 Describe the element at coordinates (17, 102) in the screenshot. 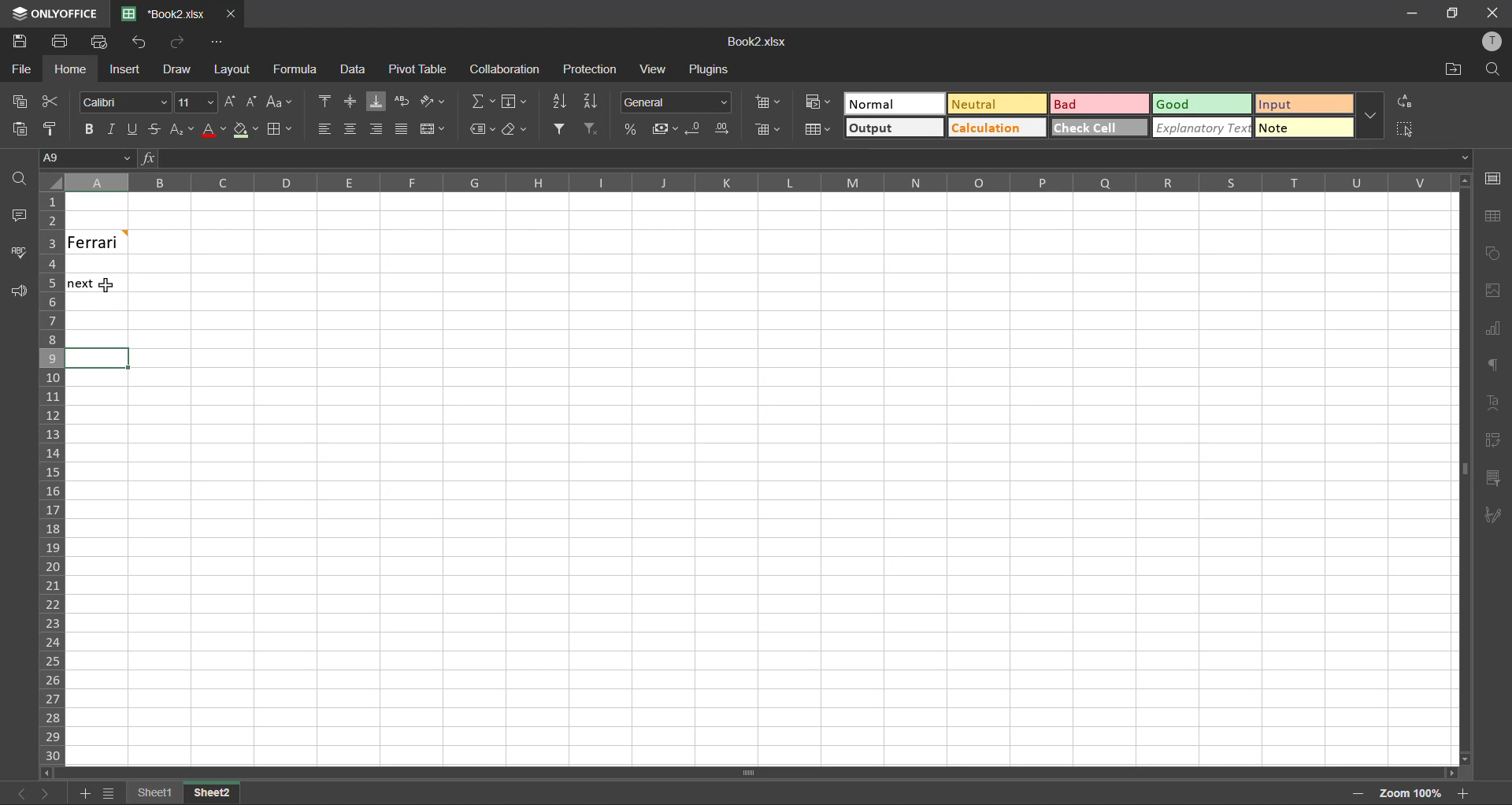

I see `copy` at that location.